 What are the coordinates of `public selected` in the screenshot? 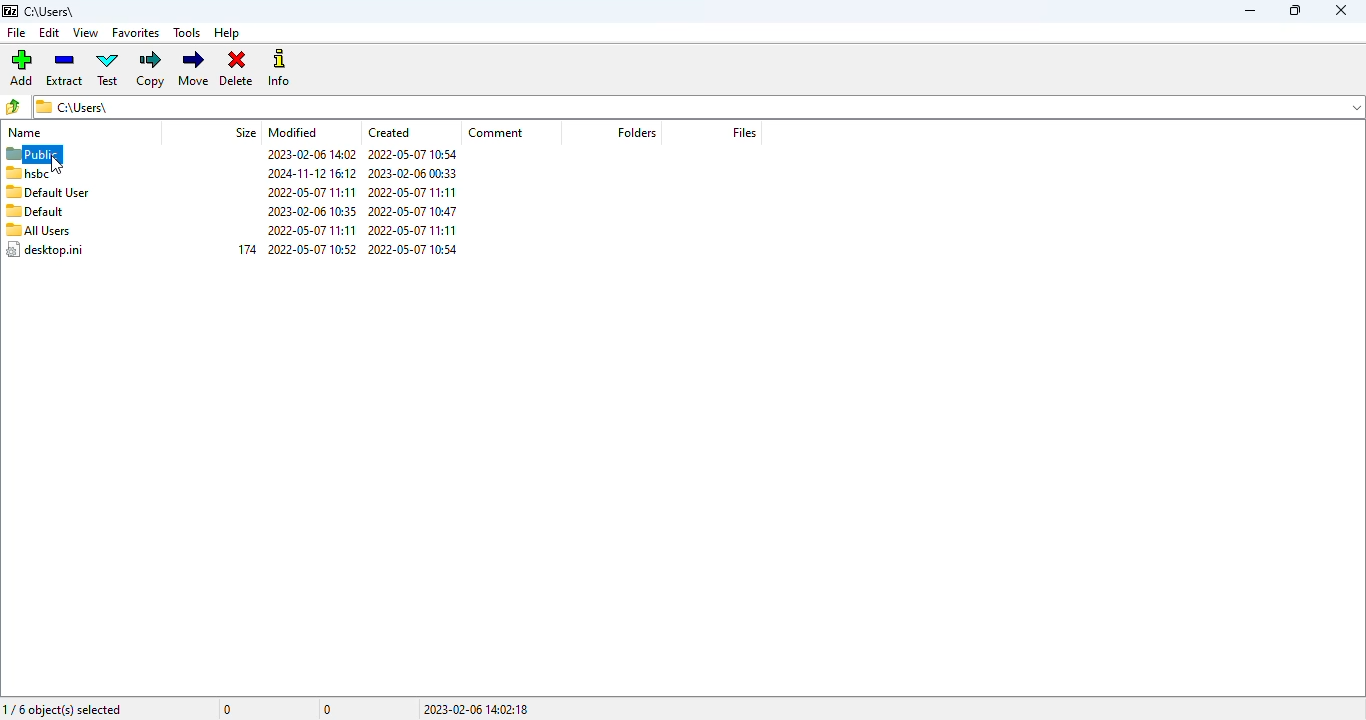 It's located at (32, 154).